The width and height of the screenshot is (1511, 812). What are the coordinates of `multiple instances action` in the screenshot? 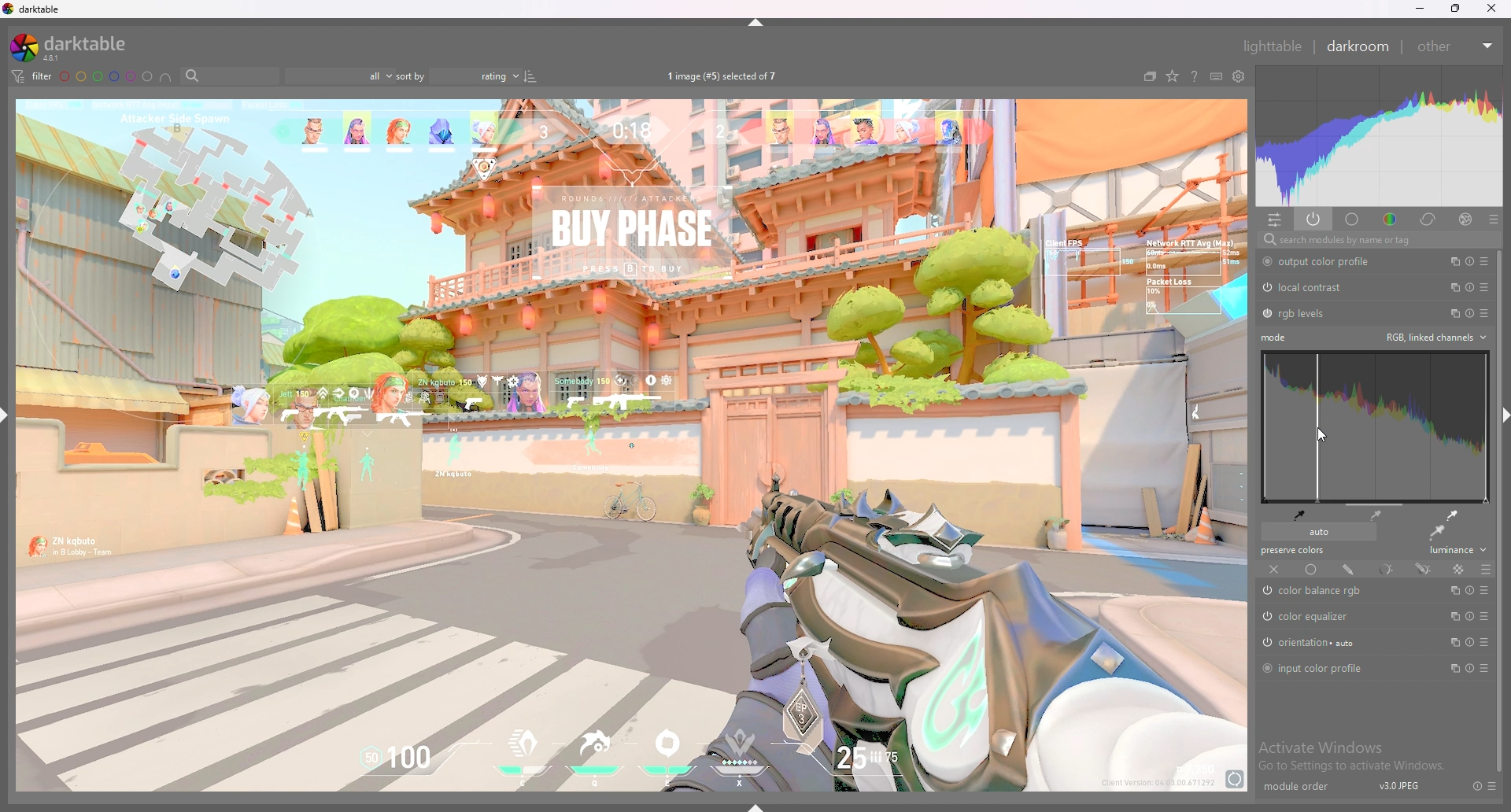 It's located at (1454, 590).